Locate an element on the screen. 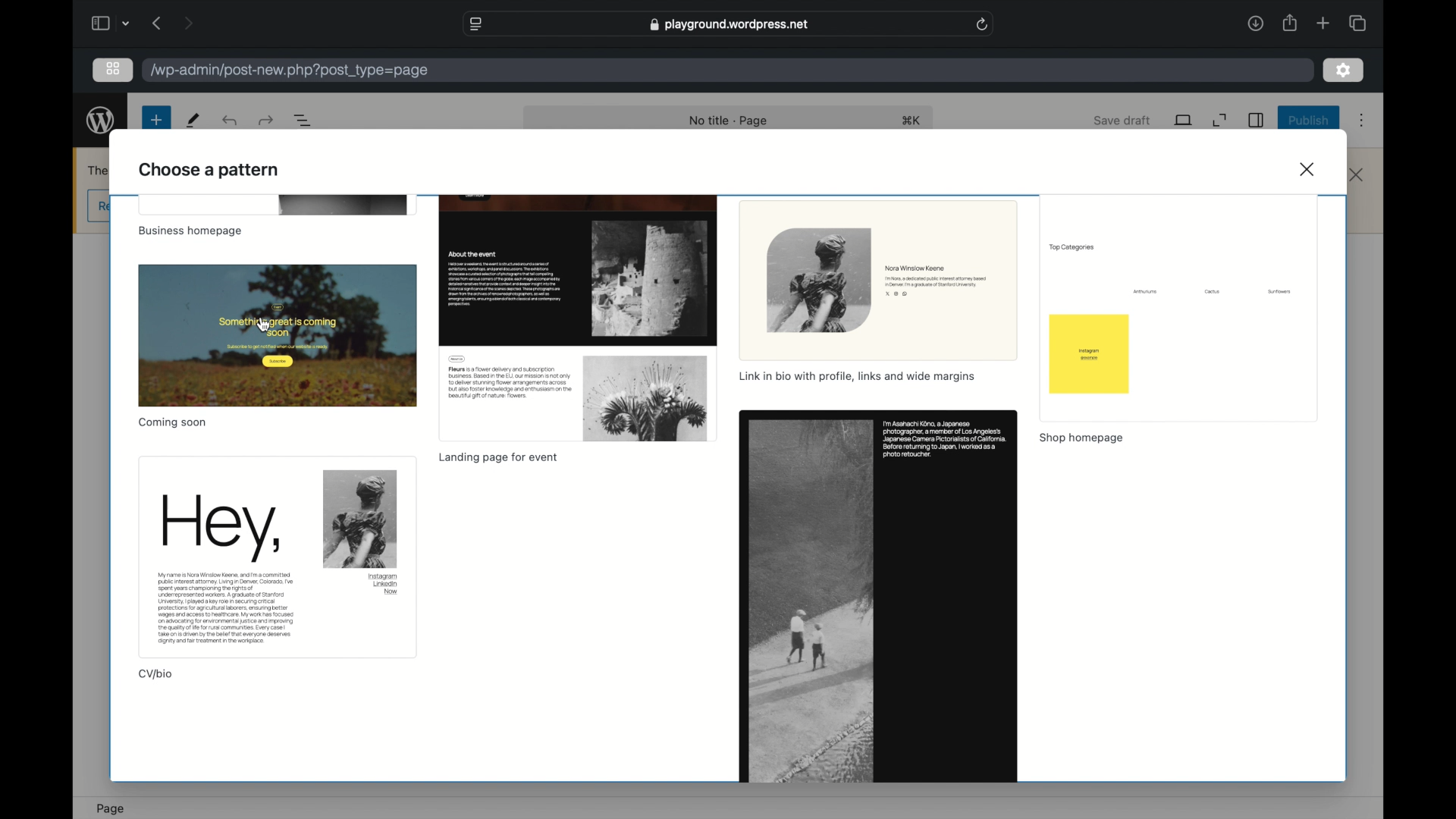  sidebar is located at coordinates (1257, 120).